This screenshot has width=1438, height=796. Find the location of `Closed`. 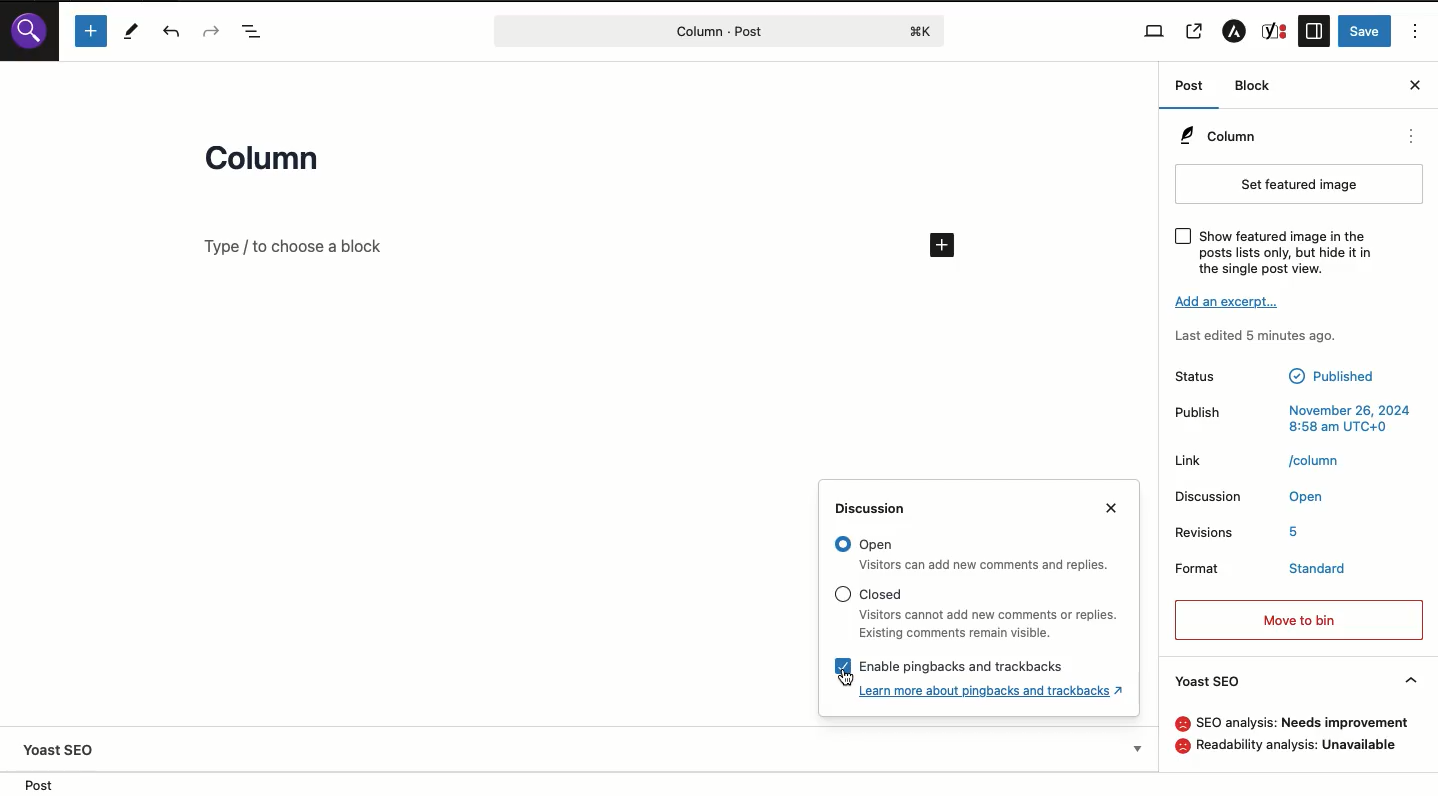

Closed is located at coordinates (989, 624).